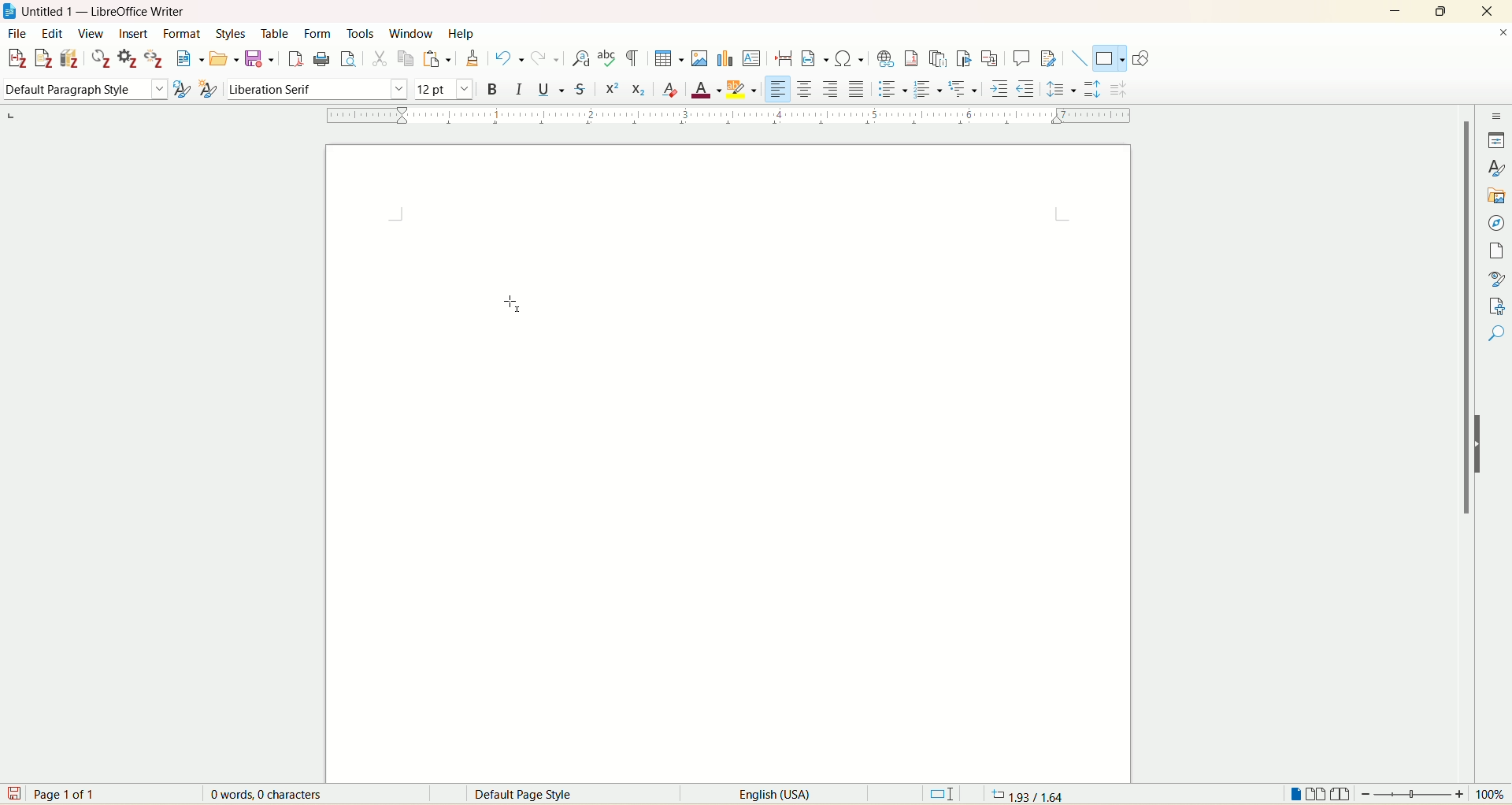 Image resolution: width=1512 pixels, height=805 pixels. I want to click on save, so click(261, 60).